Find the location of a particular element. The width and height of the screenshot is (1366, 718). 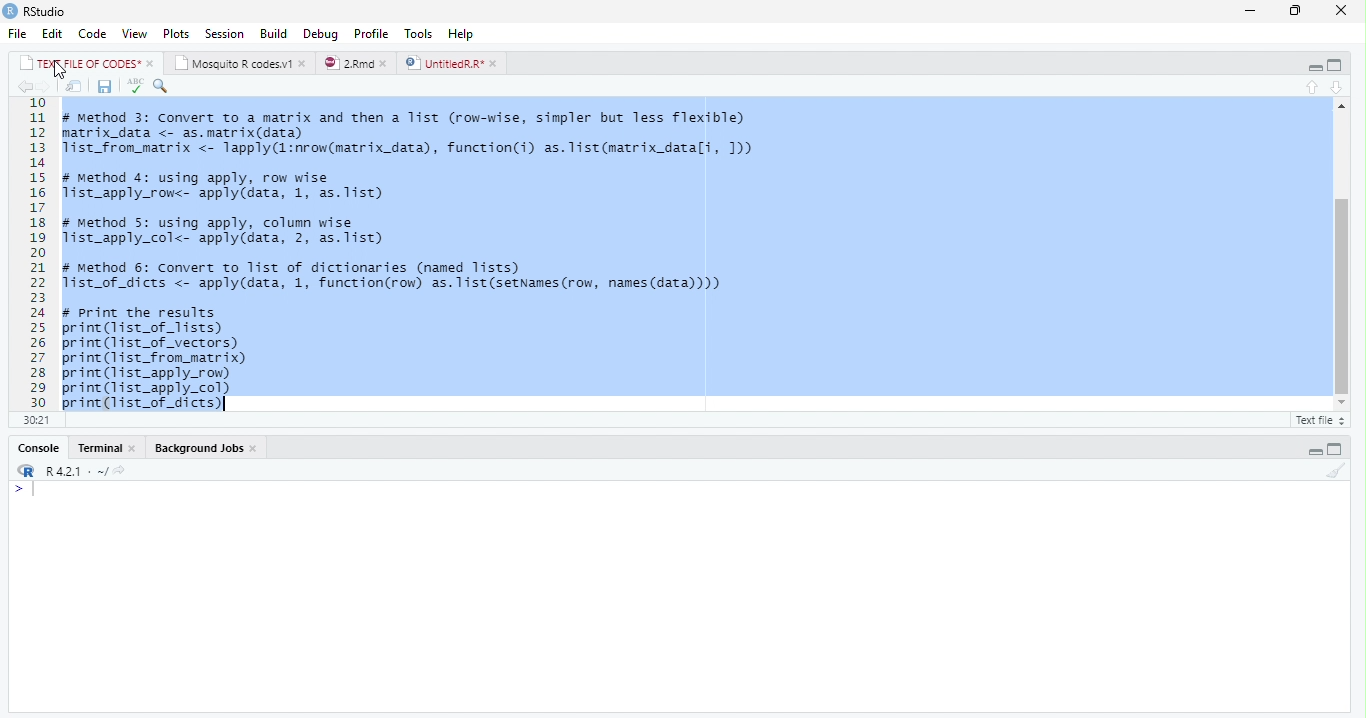

R Script is located at coordinates (1320, 419).